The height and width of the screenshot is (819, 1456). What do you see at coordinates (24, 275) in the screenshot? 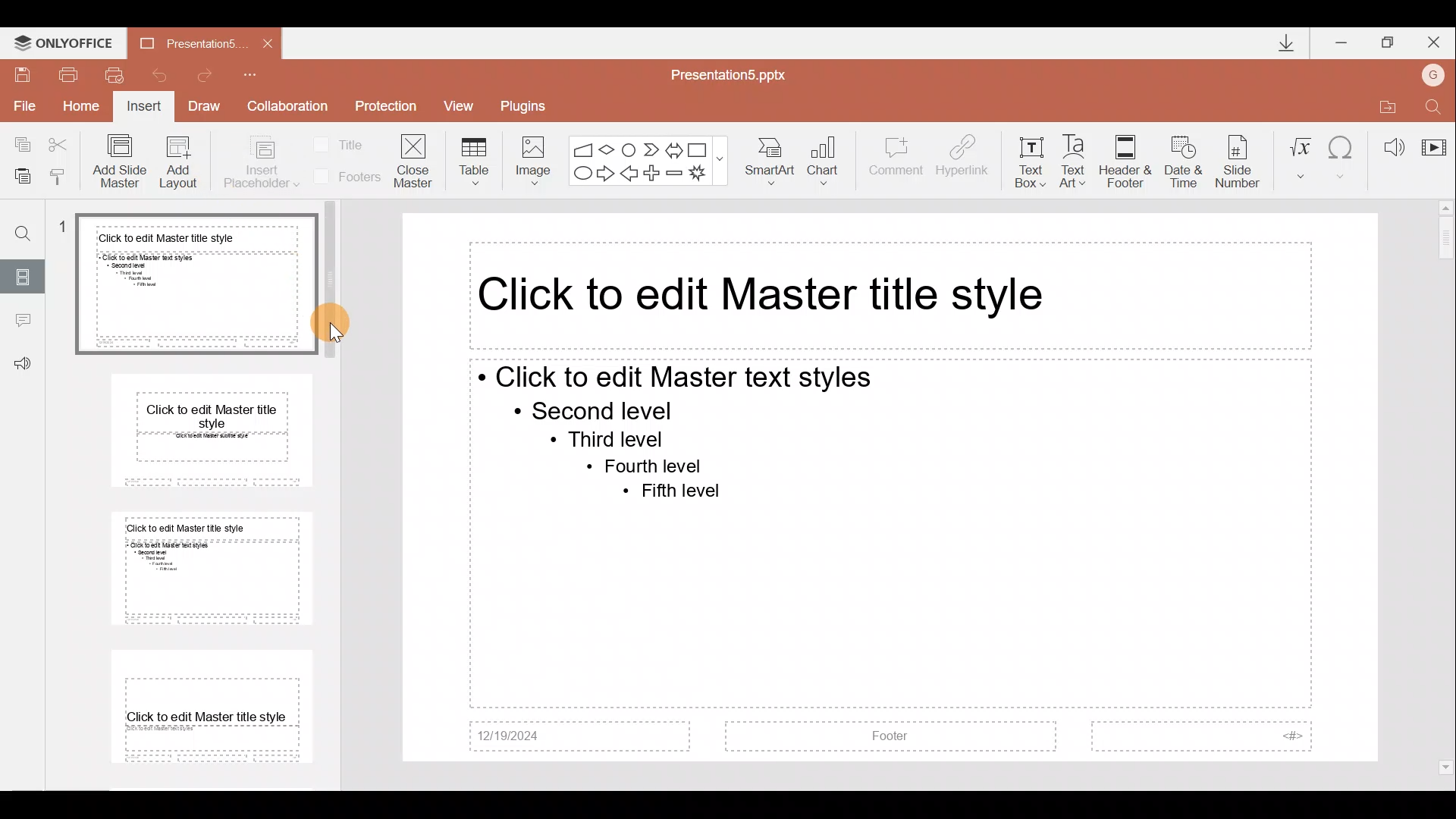
I see `Slides` at bounding box center [24, 275].